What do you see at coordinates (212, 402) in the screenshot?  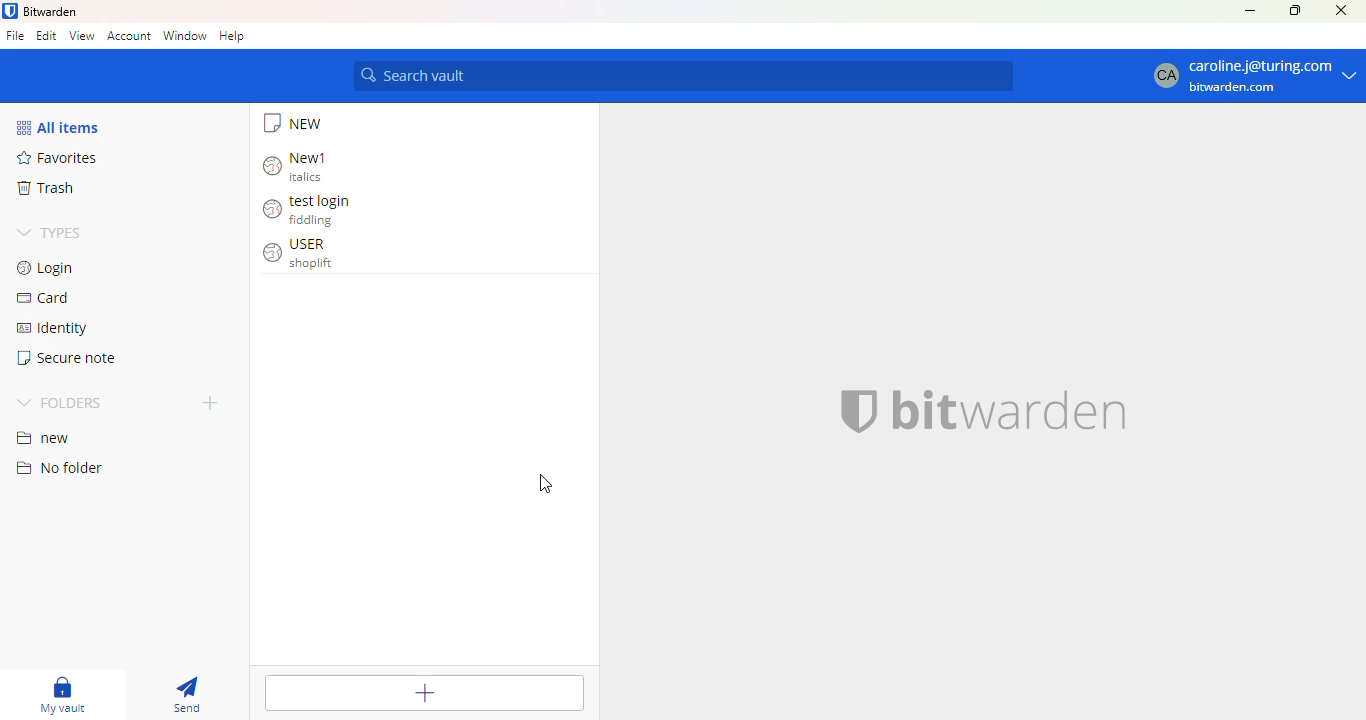 I see `add folder` at bounding box center [212, 402].